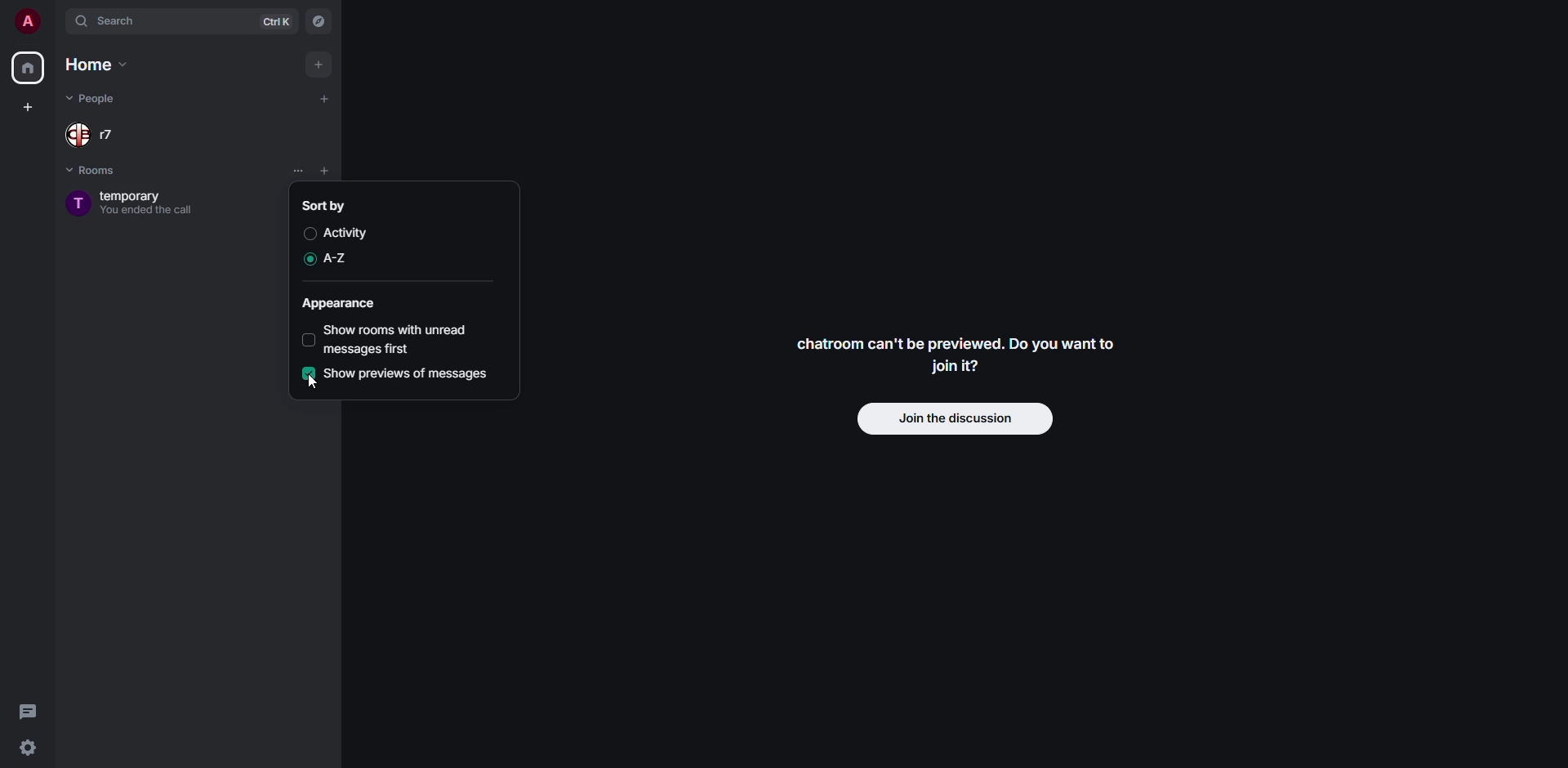 This screenshot has width=1568, height=768. Describe the element at coordinates (309, 373) in the screenshot. I see `enabled` at that location.